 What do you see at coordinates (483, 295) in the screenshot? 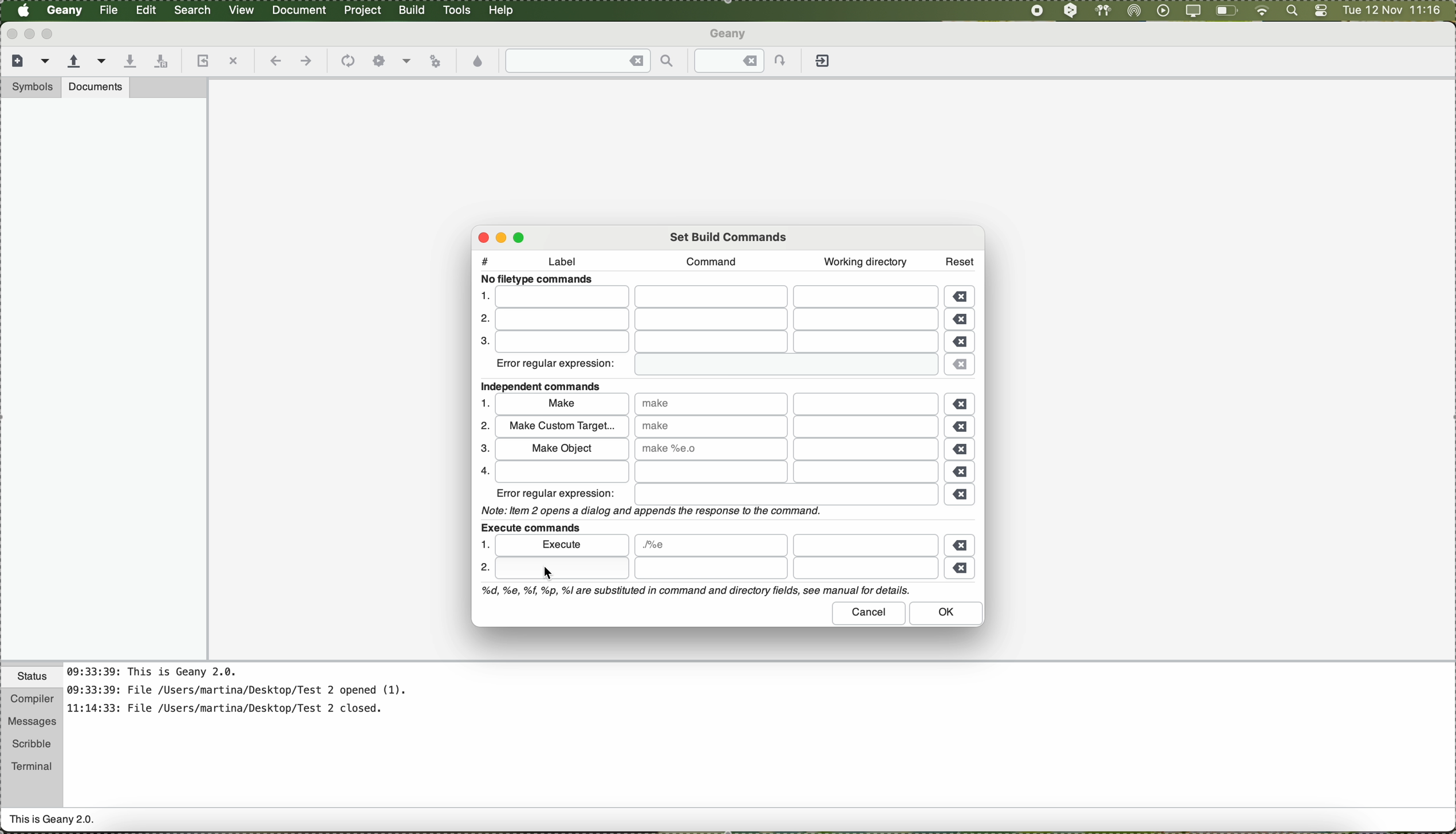
I see `1` at bounding box center [483, 295].